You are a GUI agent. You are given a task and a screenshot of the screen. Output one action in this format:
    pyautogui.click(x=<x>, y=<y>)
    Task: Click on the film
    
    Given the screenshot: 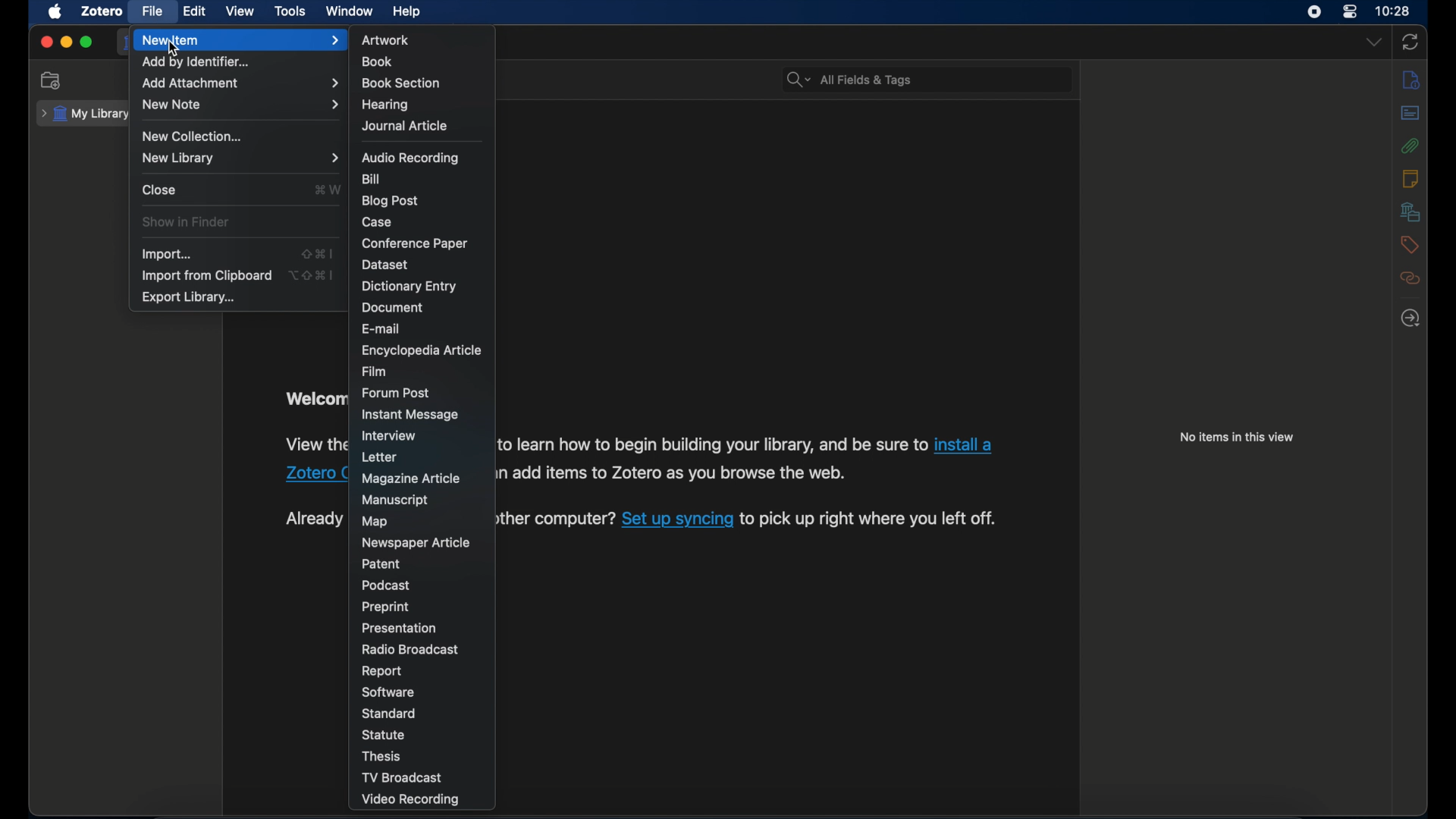 What is the action you would take?
    pyautogui.click(x=376, y=372)
    